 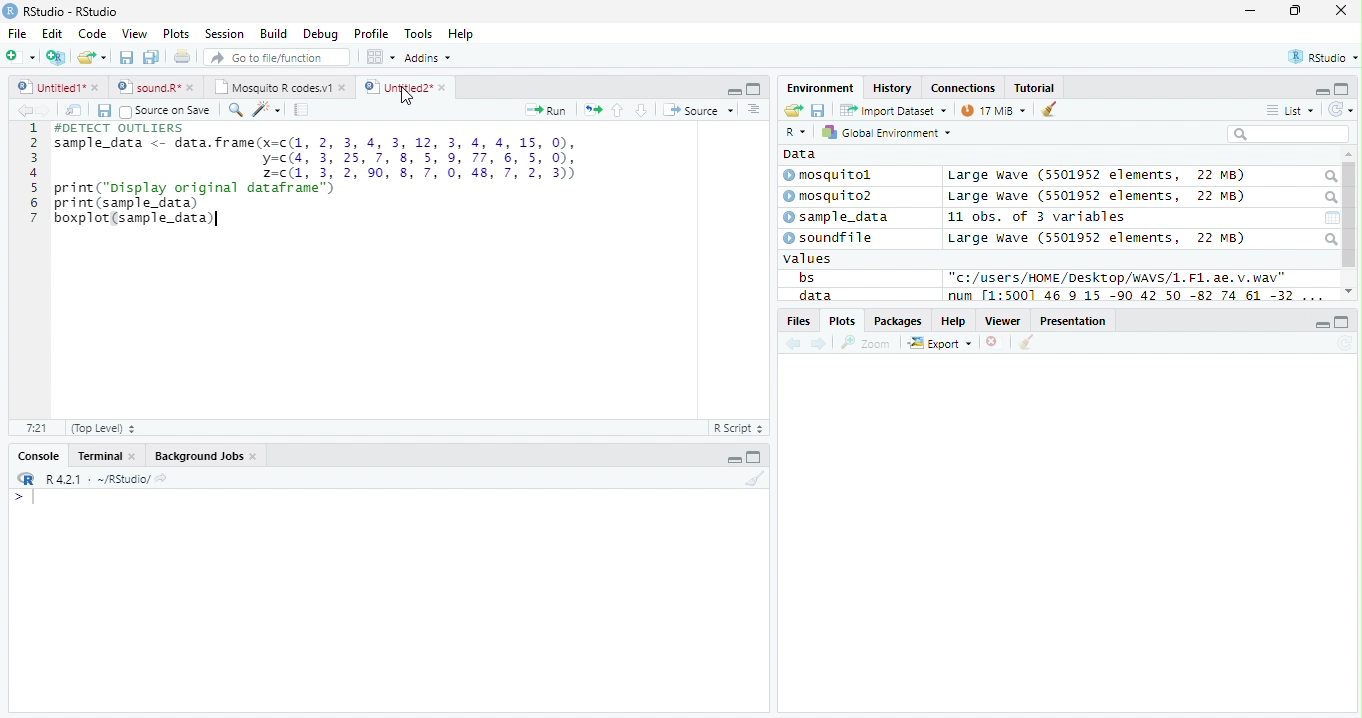 I want to click on Go to next session, so click(x=642, y=111).